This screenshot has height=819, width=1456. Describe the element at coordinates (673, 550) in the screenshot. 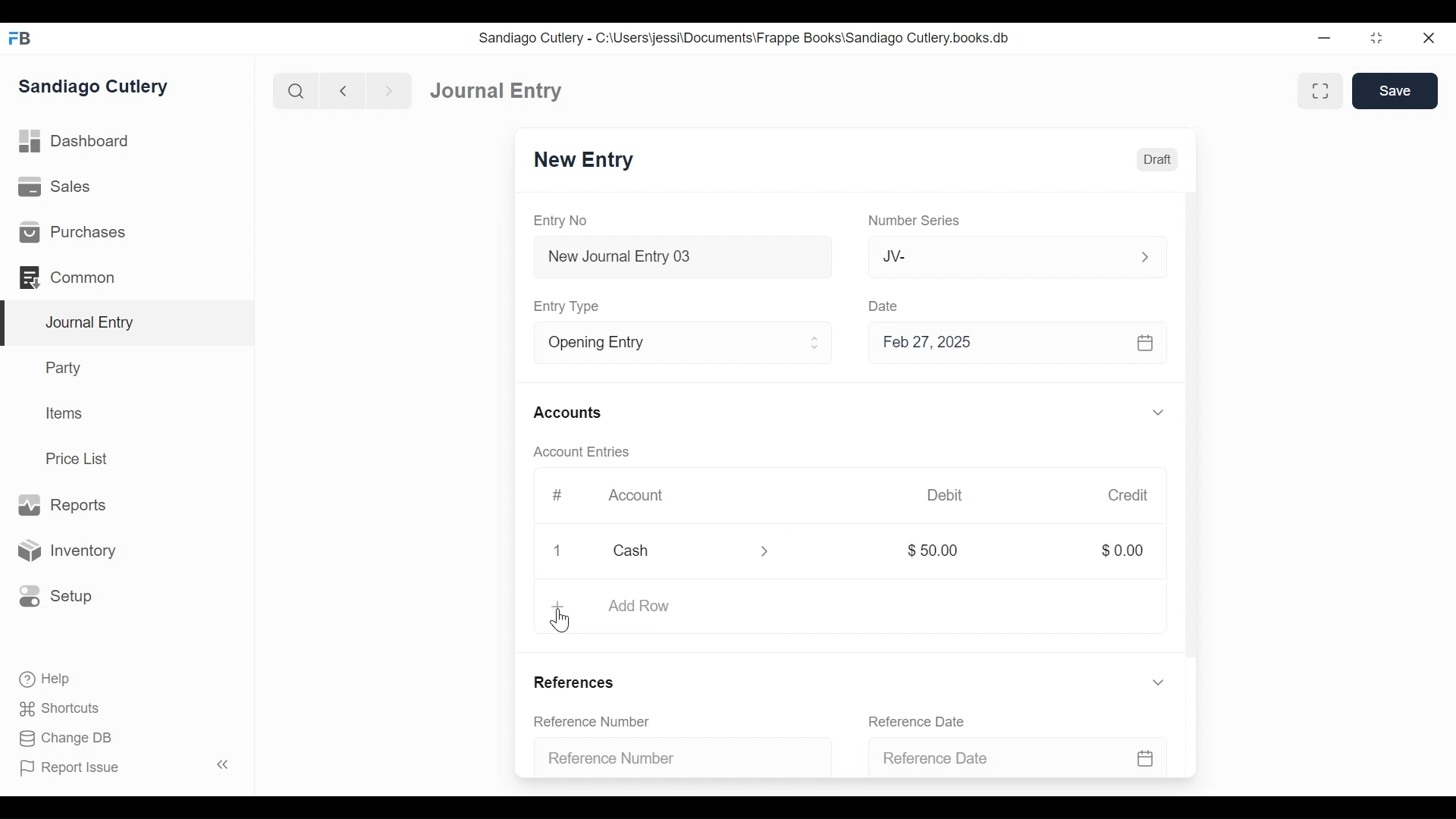

I see `Cash` at that location.